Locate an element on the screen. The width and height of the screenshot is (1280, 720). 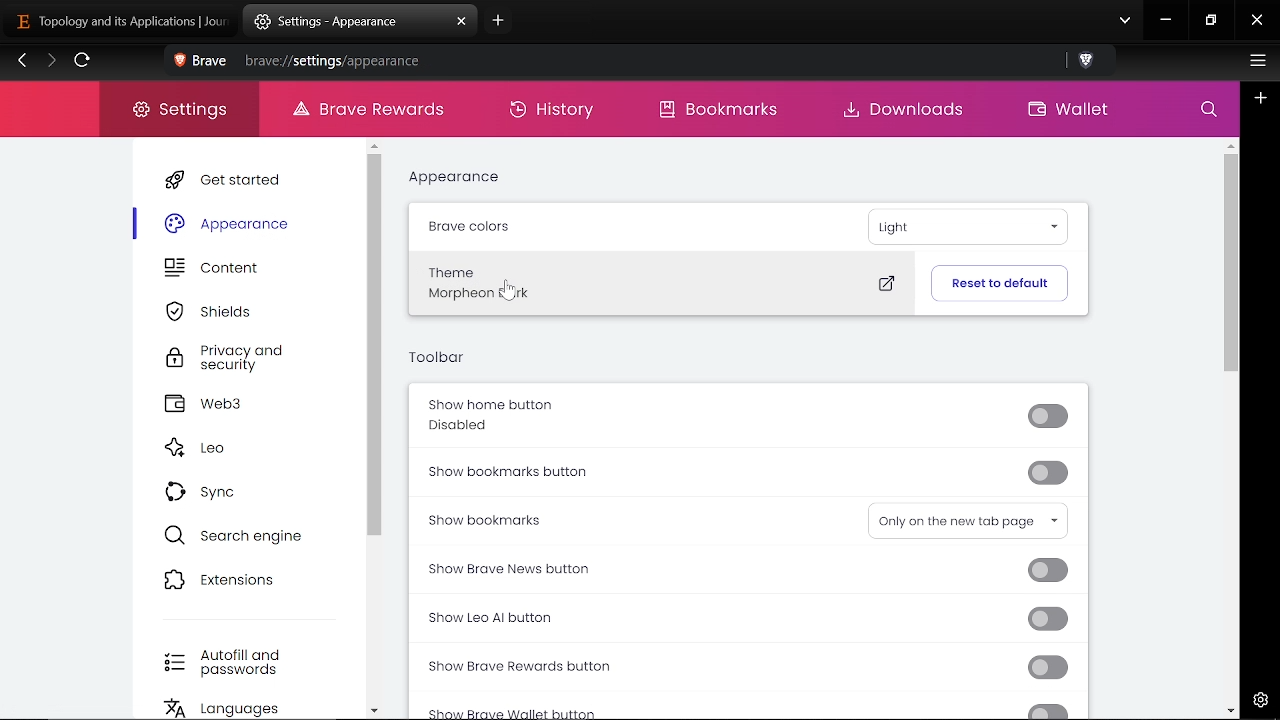
Extensions is located at coordinates (231, 580).